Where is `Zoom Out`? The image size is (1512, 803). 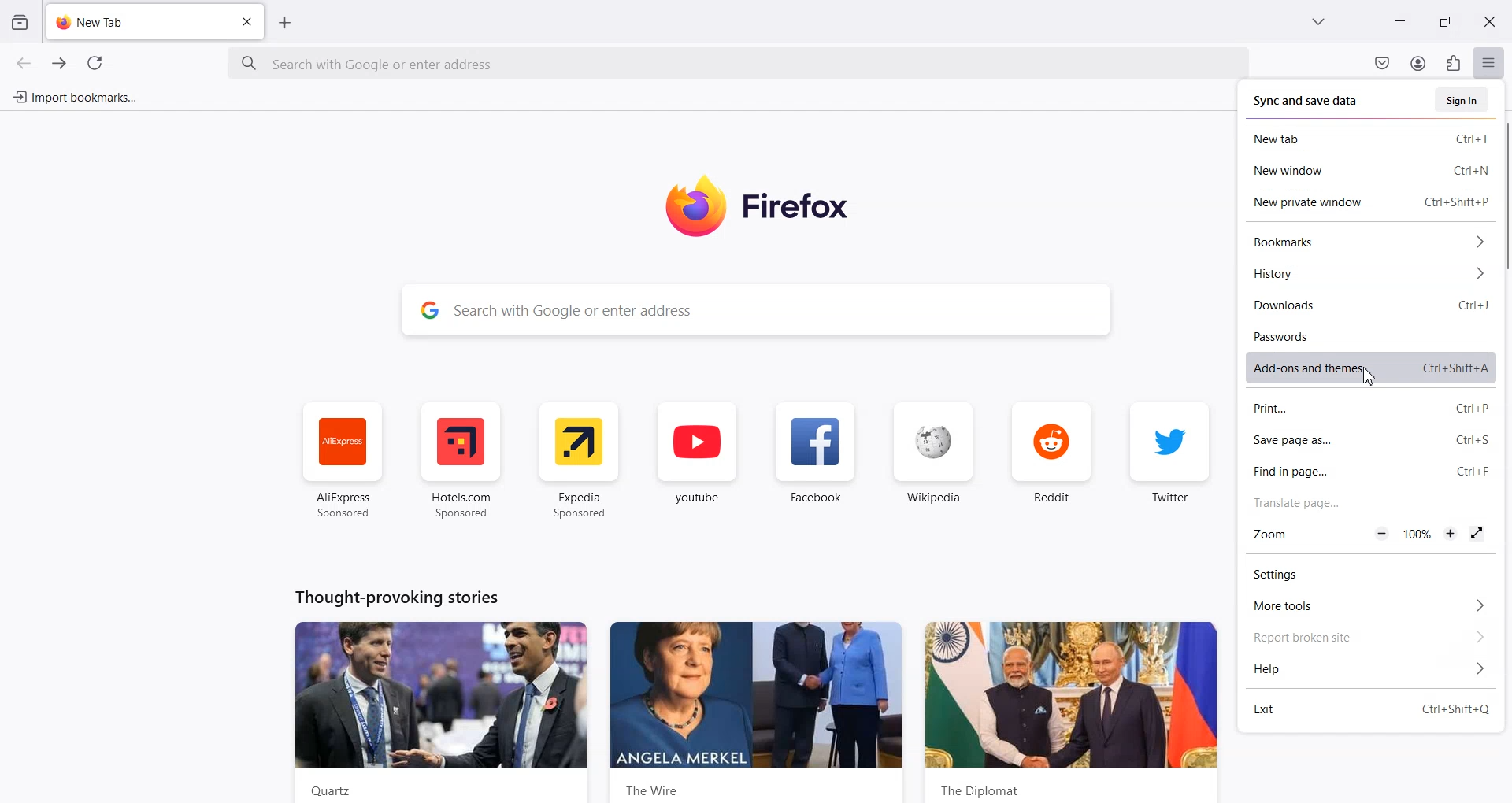
Zoom Out is located at coordinates (1381, 532).